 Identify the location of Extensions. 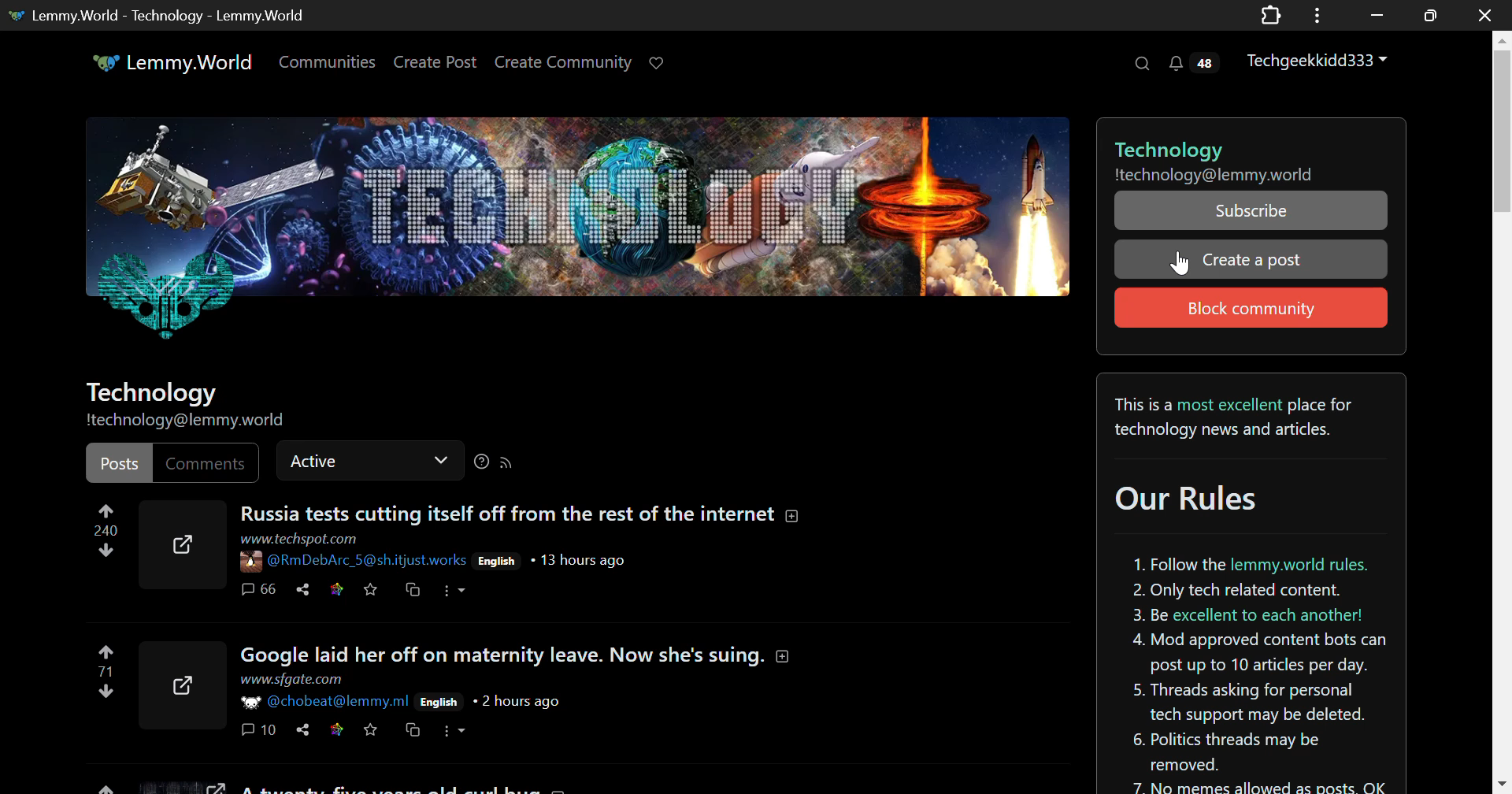
(1270, 14).